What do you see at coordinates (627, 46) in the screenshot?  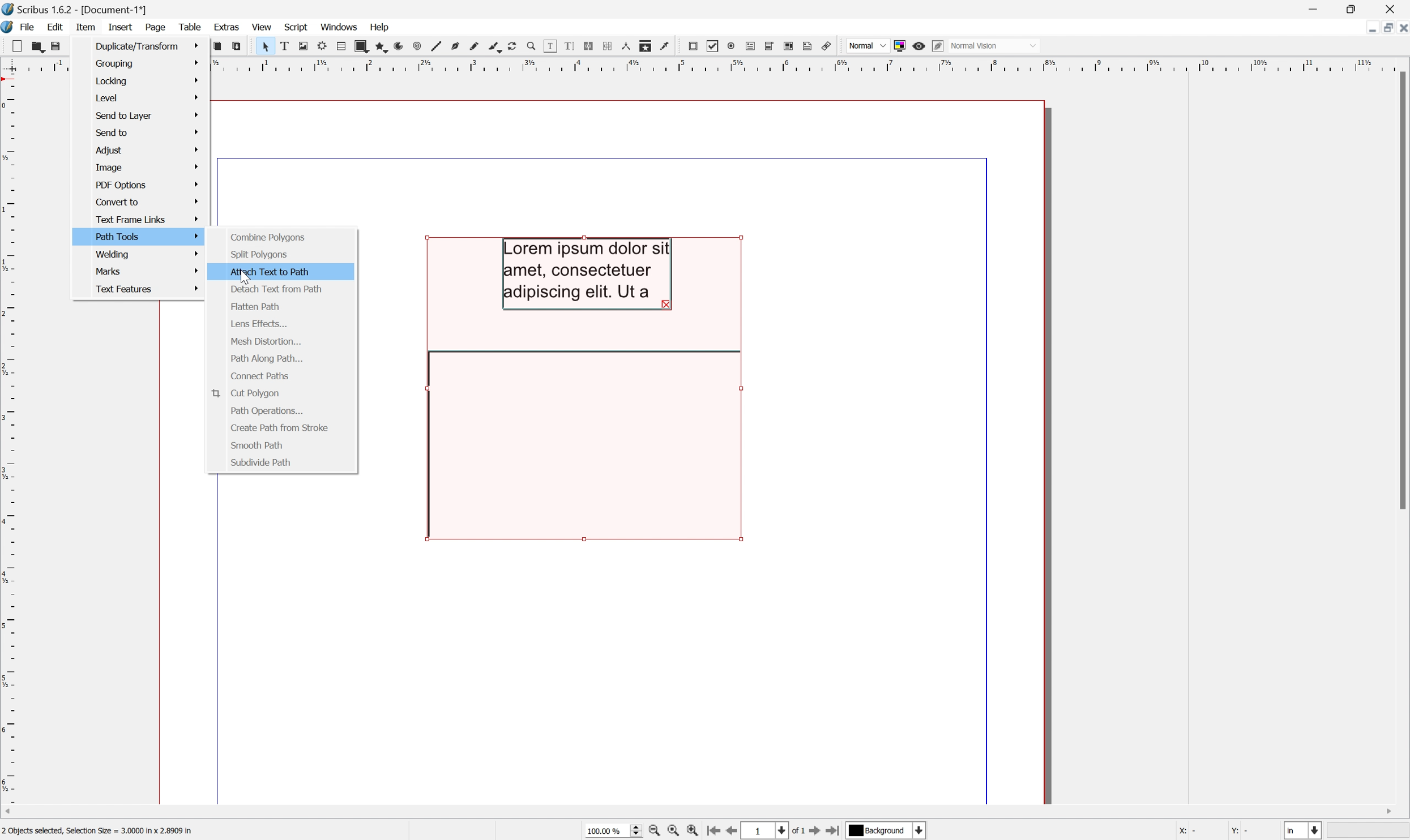 I see `Measurements` at bounding box center [627, 46].